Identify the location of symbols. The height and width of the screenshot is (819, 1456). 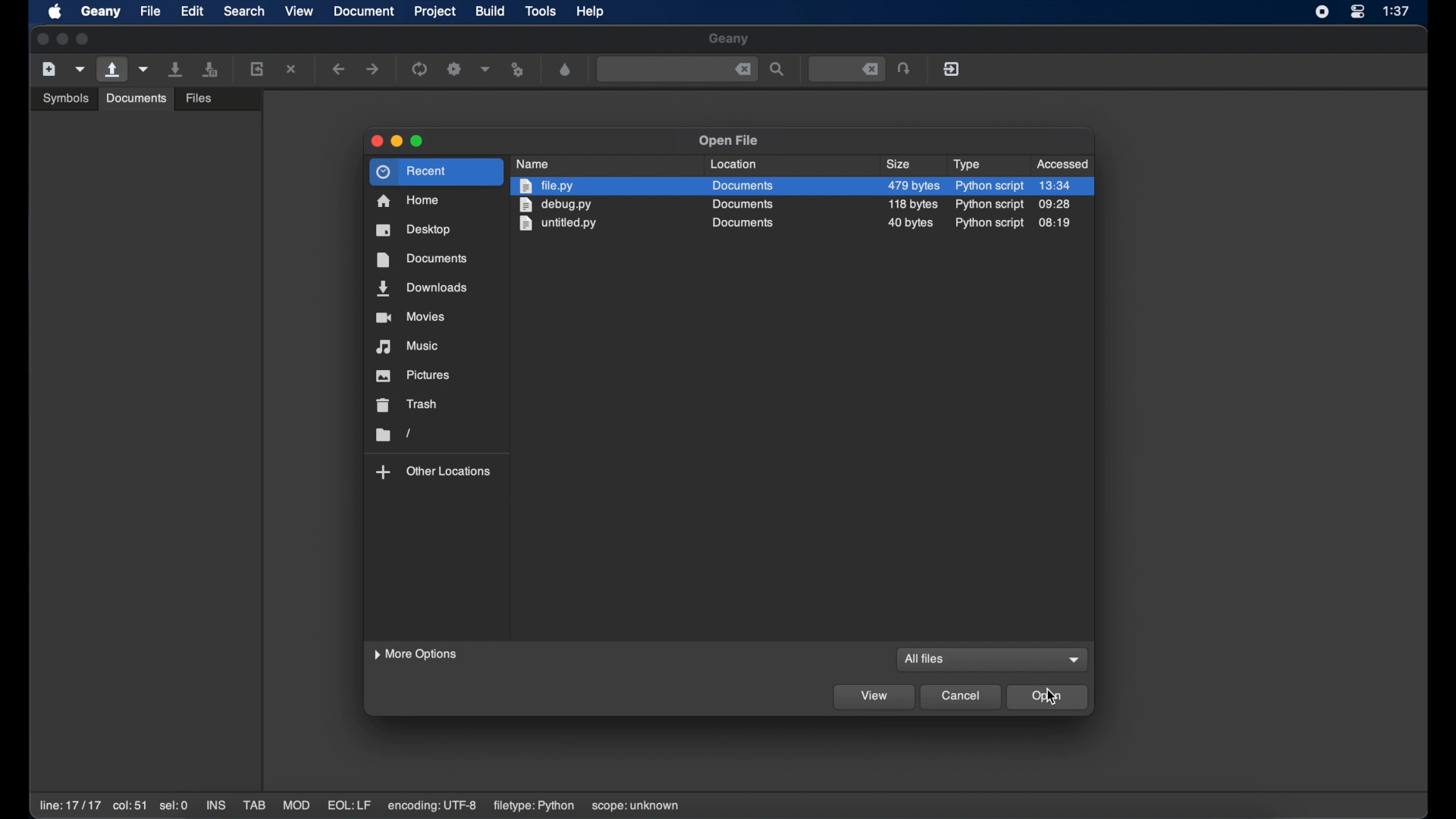
(65, 97).